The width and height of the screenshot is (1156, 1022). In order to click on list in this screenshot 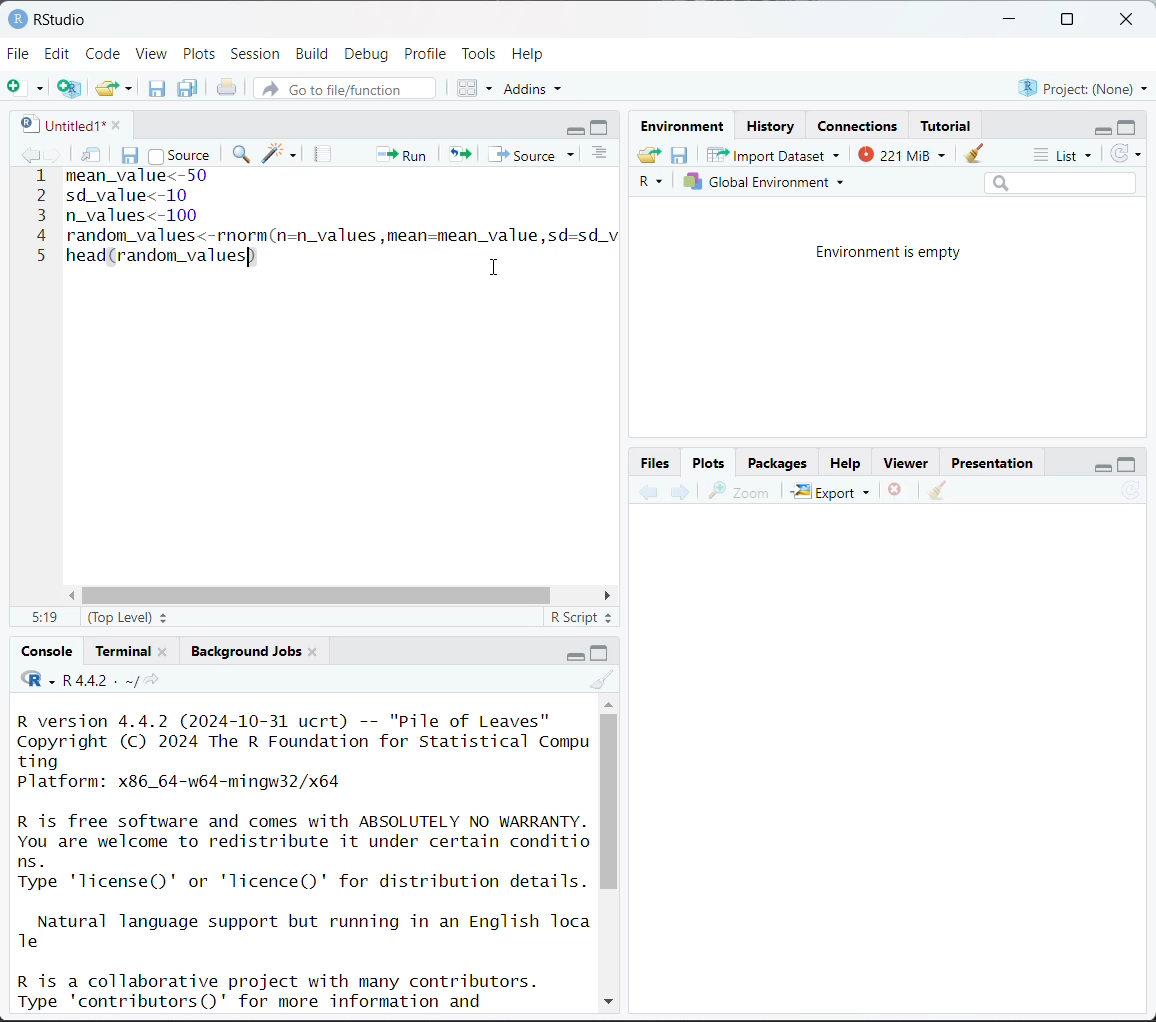, I will do `click(1066, 156)`.